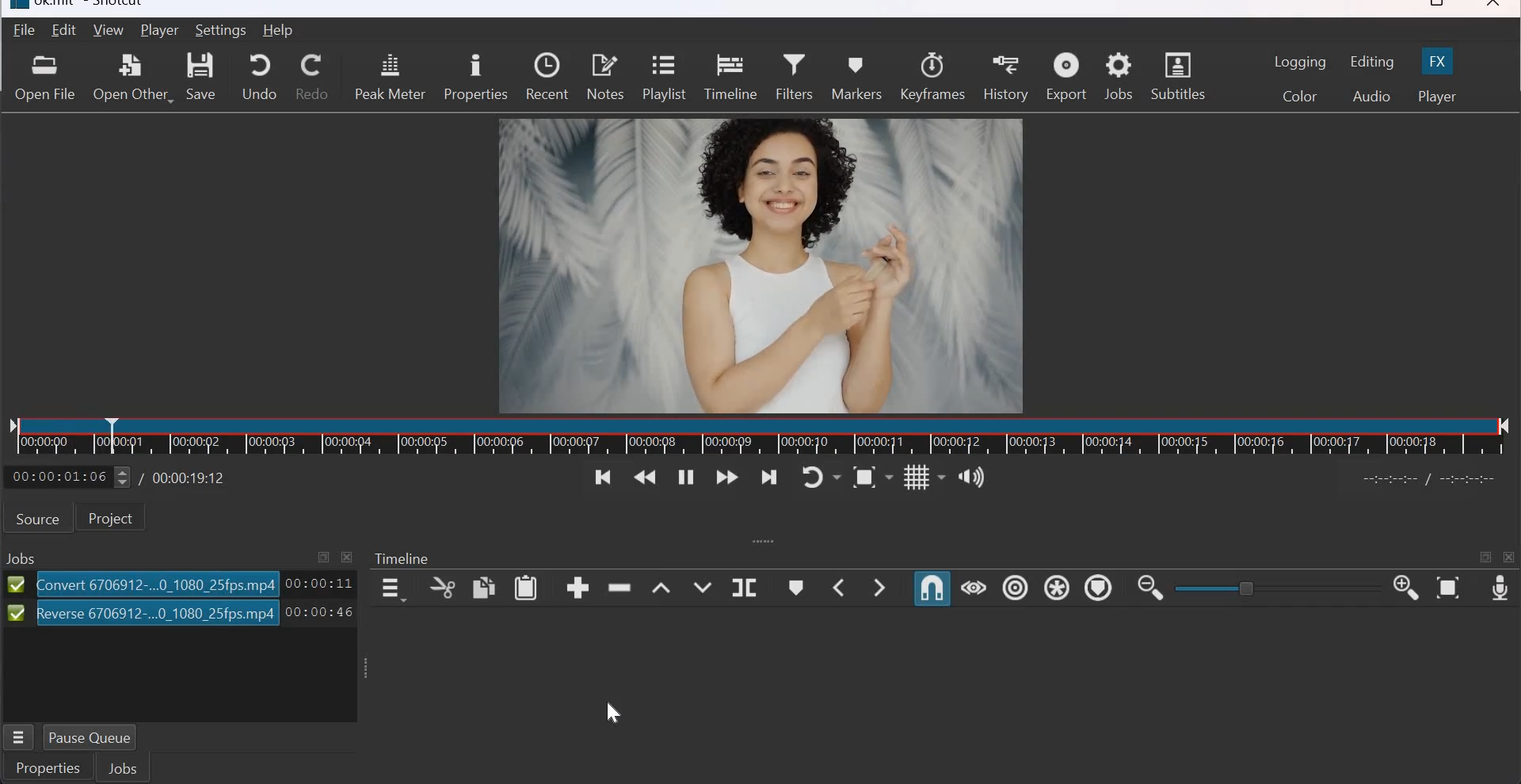 The width and height of the screenshot is (1521, 784). I want to click on View, so click(109, 29).